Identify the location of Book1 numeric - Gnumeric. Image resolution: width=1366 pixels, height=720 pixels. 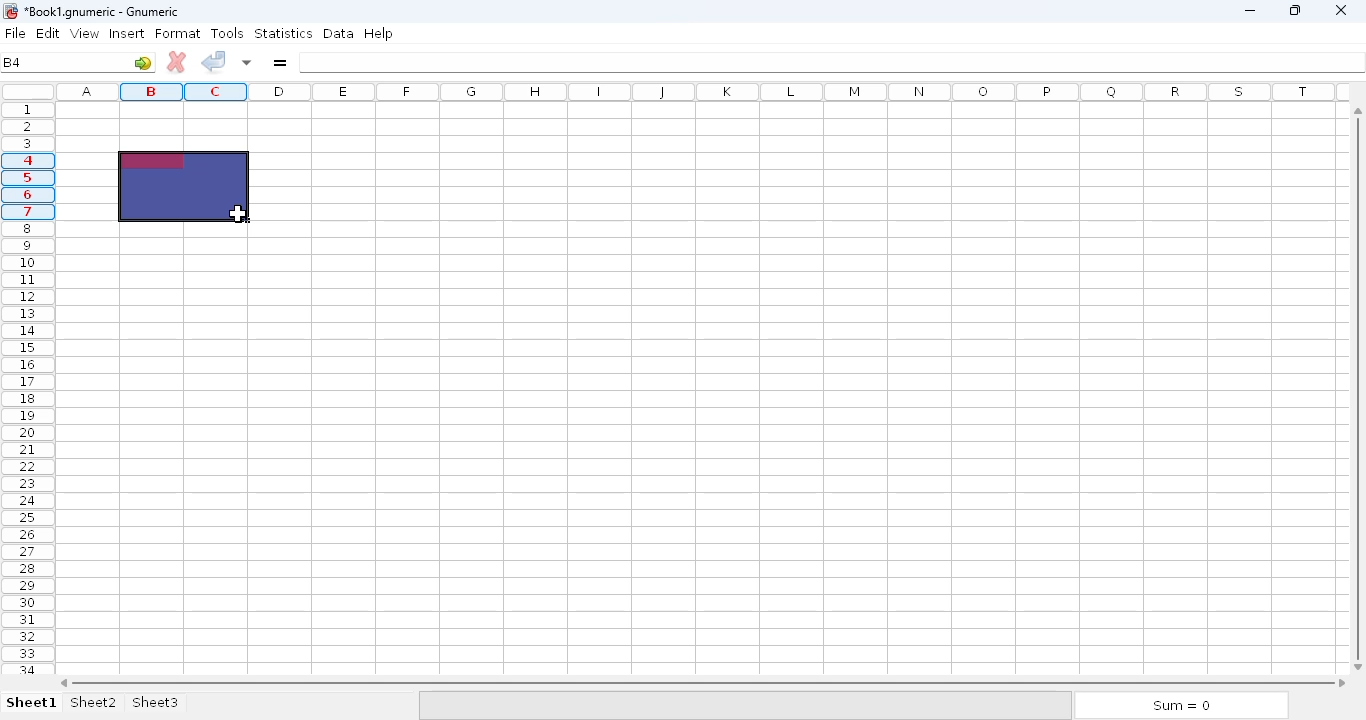
(102, 12).